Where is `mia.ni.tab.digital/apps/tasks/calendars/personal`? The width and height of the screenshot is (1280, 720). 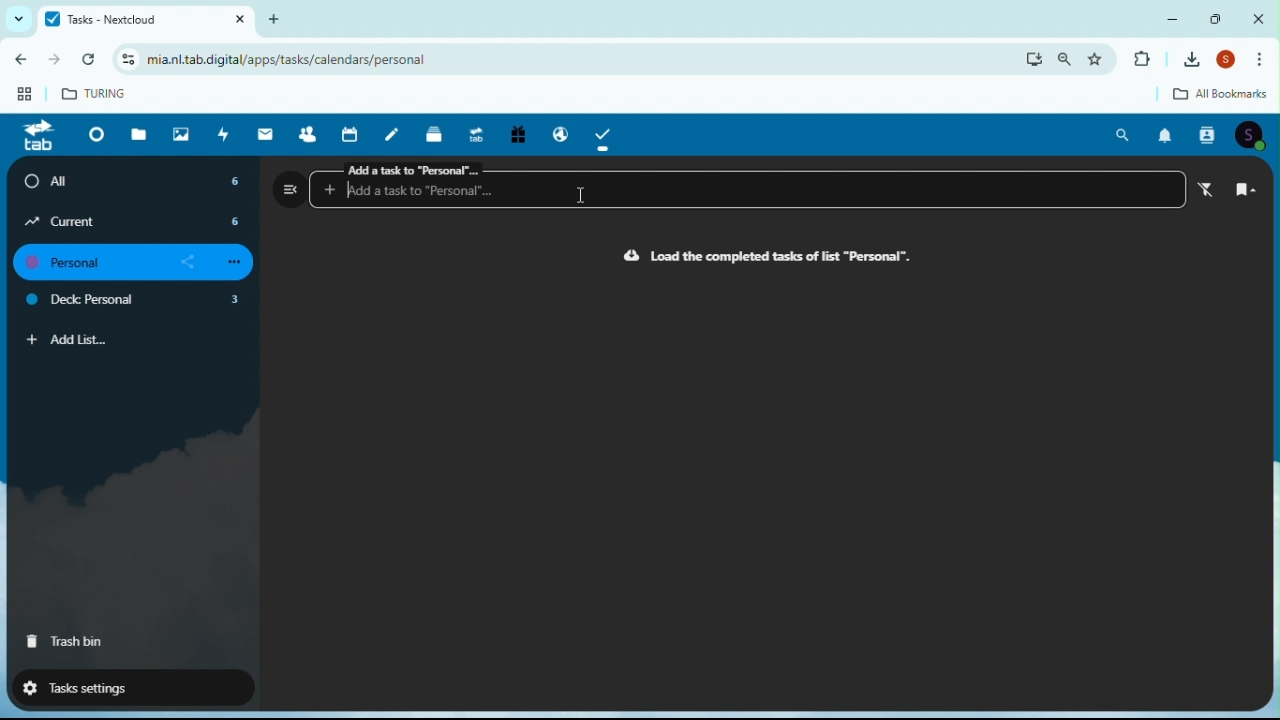
mia.ni.tab.digital/apps/tasks/calendars/personal is located at coordinates (282, 60).